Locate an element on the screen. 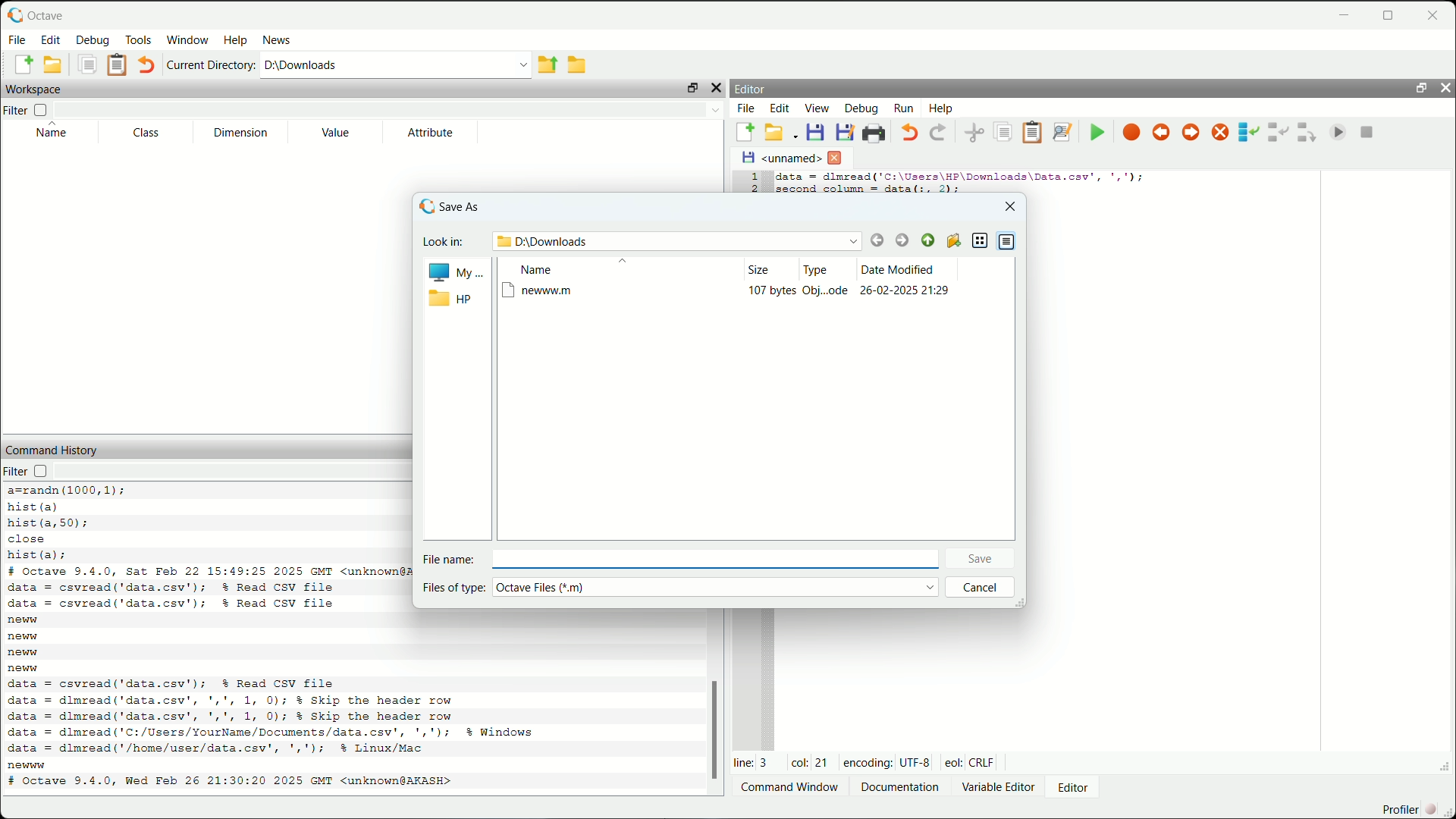 The image size is (1456, 819). file is located at coordinates (17, 39).